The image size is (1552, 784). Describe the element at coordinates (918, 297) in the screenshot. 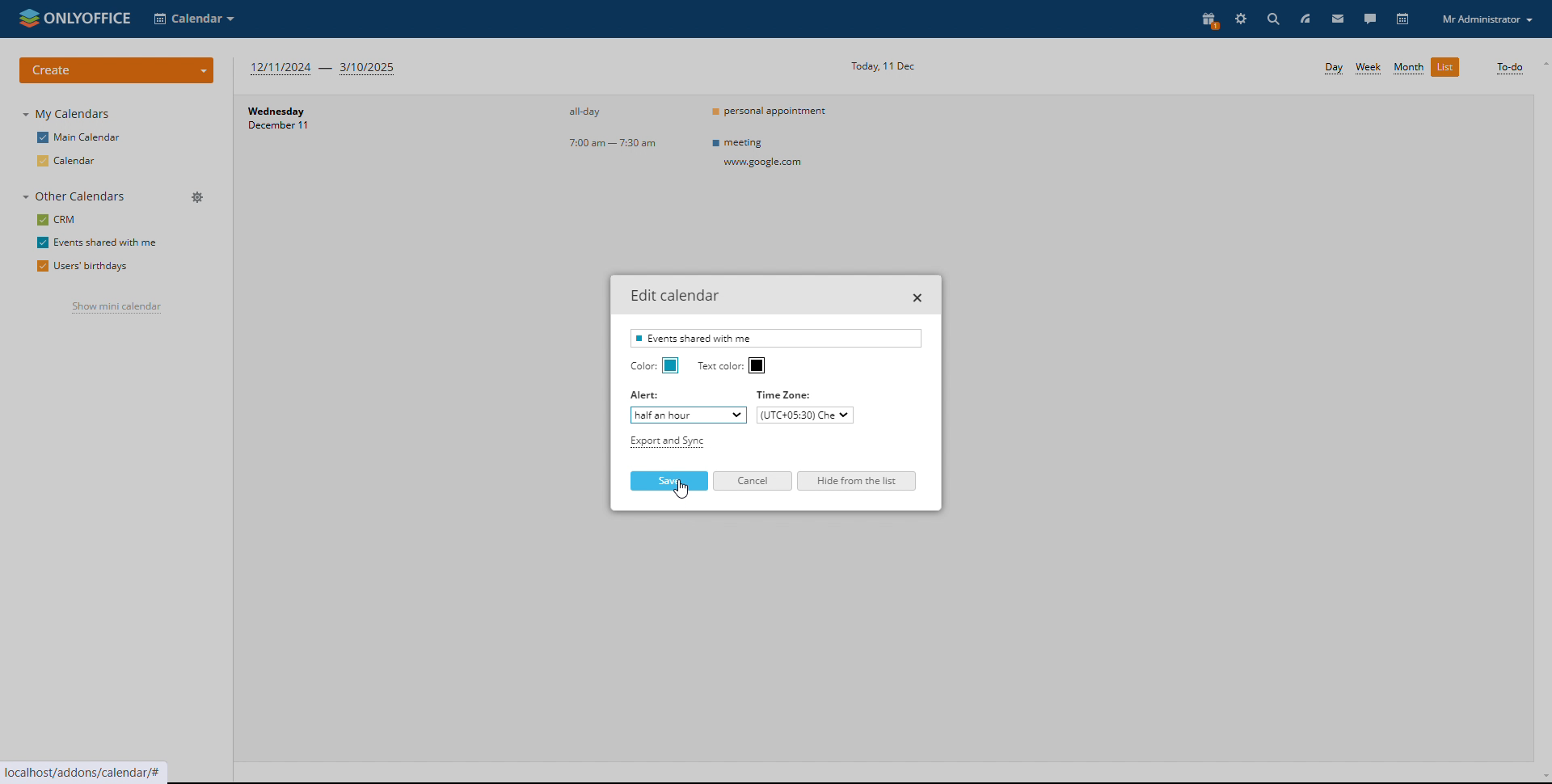

I see `close` at that location.